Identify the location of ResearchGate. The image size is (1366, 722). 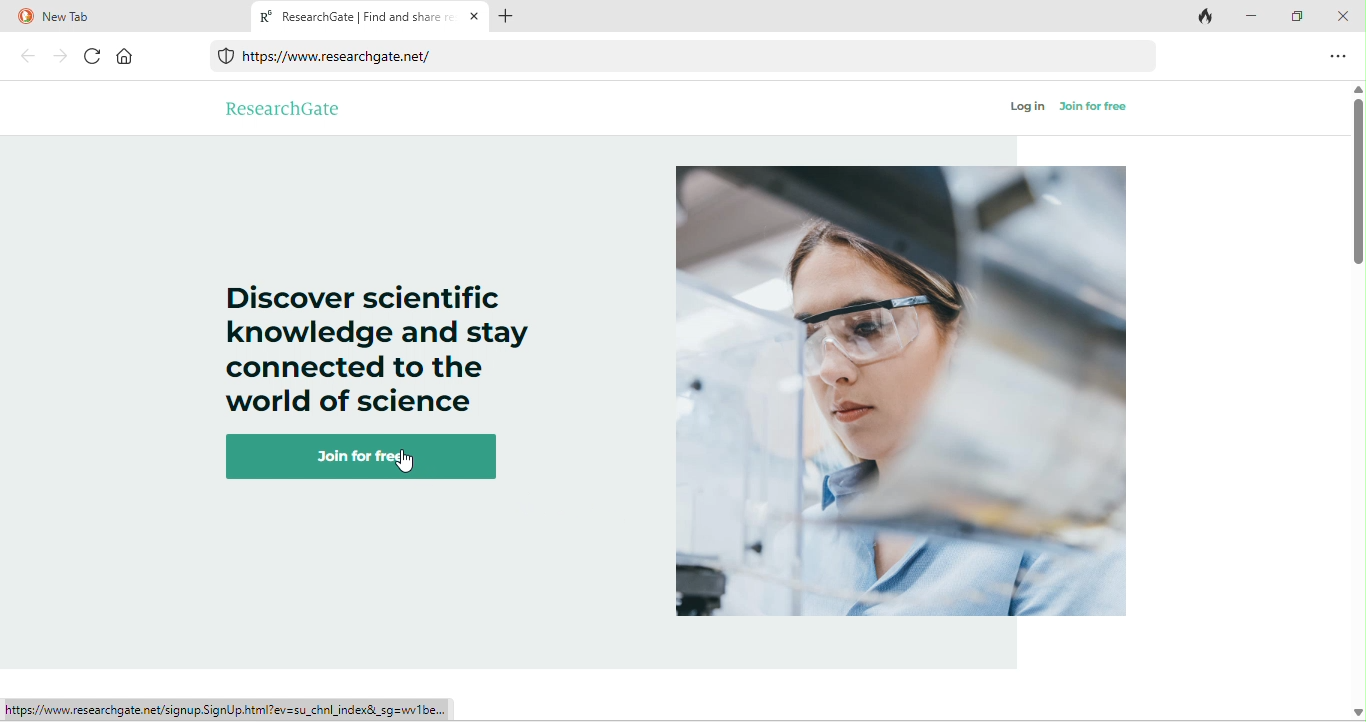
(284, 107).